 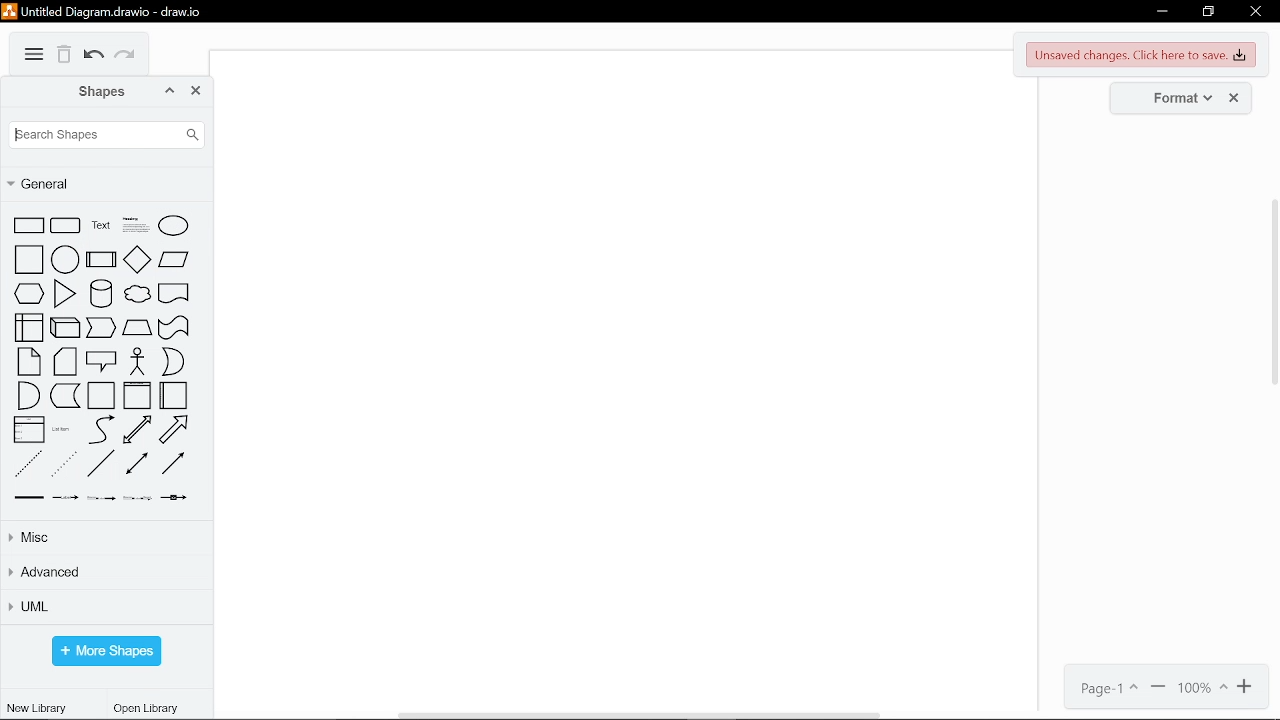 What do you see at coordinates (1246, 687) in the screenshot?
I see `zoom in` at bounding box center [1246, 687].